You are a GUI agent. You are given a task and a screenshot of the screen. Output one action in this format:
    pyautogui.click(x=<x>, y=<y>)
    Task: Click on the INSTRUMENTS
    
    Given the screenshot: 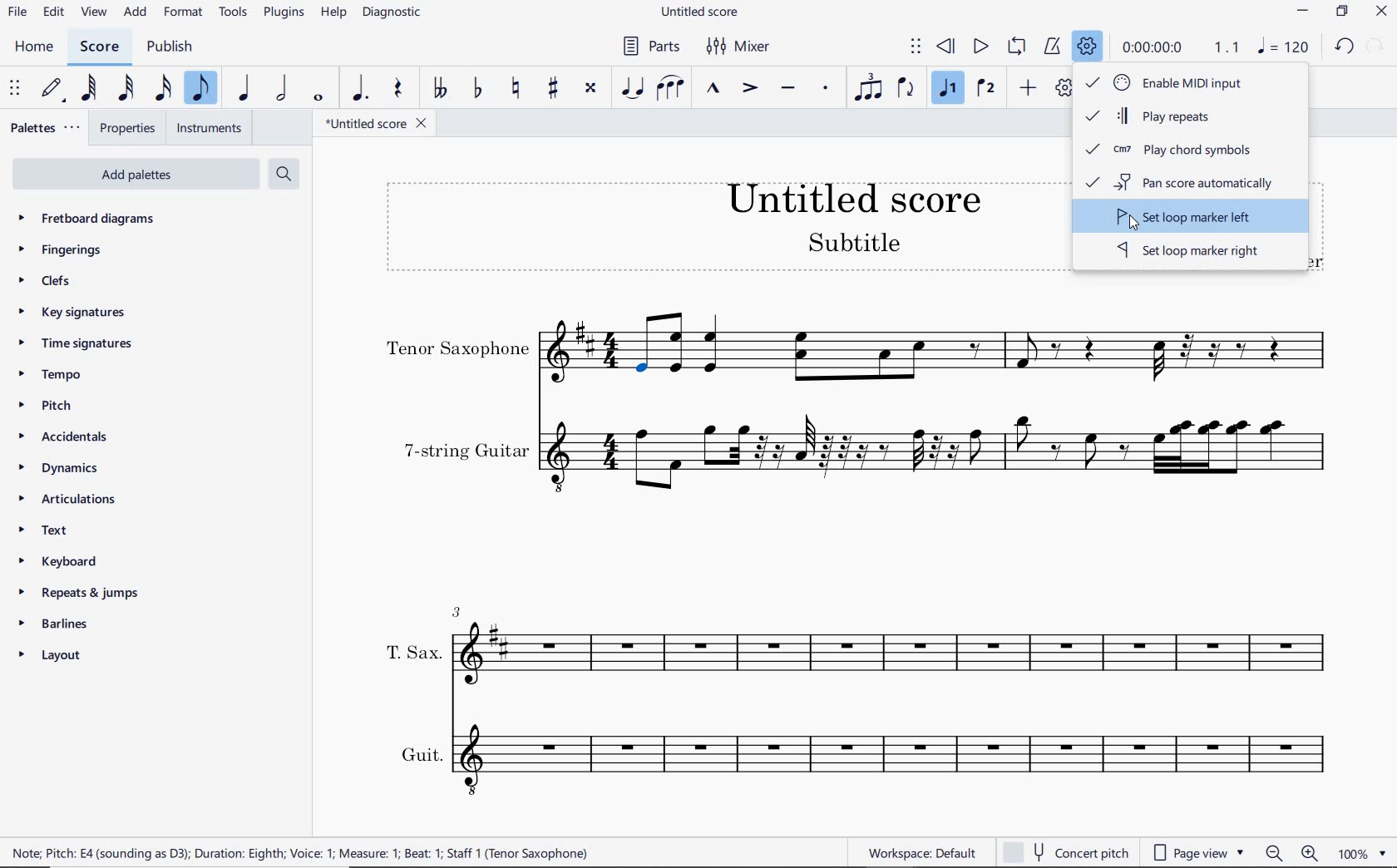 What is the action you would take?
    pyautogui.click(x=212, y=130)
    